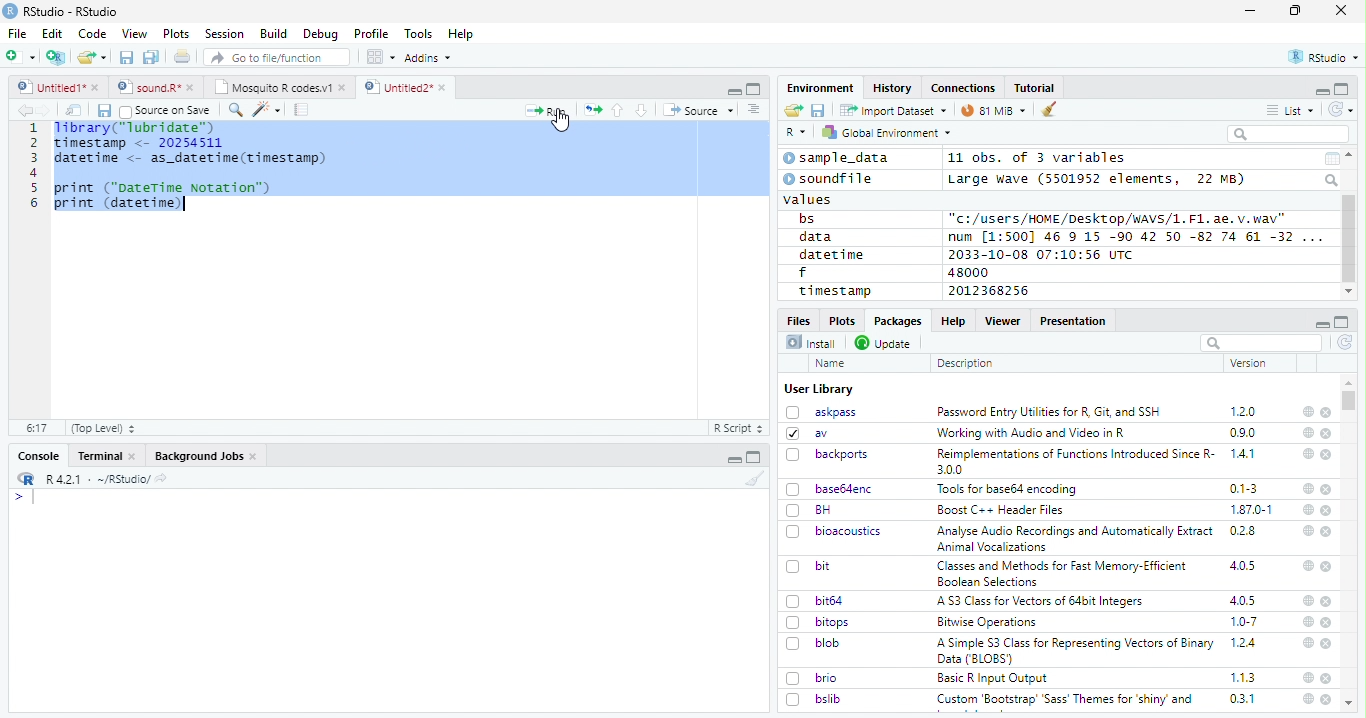 The width and height of the screenshot is (1366, 718). I want to click on help, so click(1307, 411).